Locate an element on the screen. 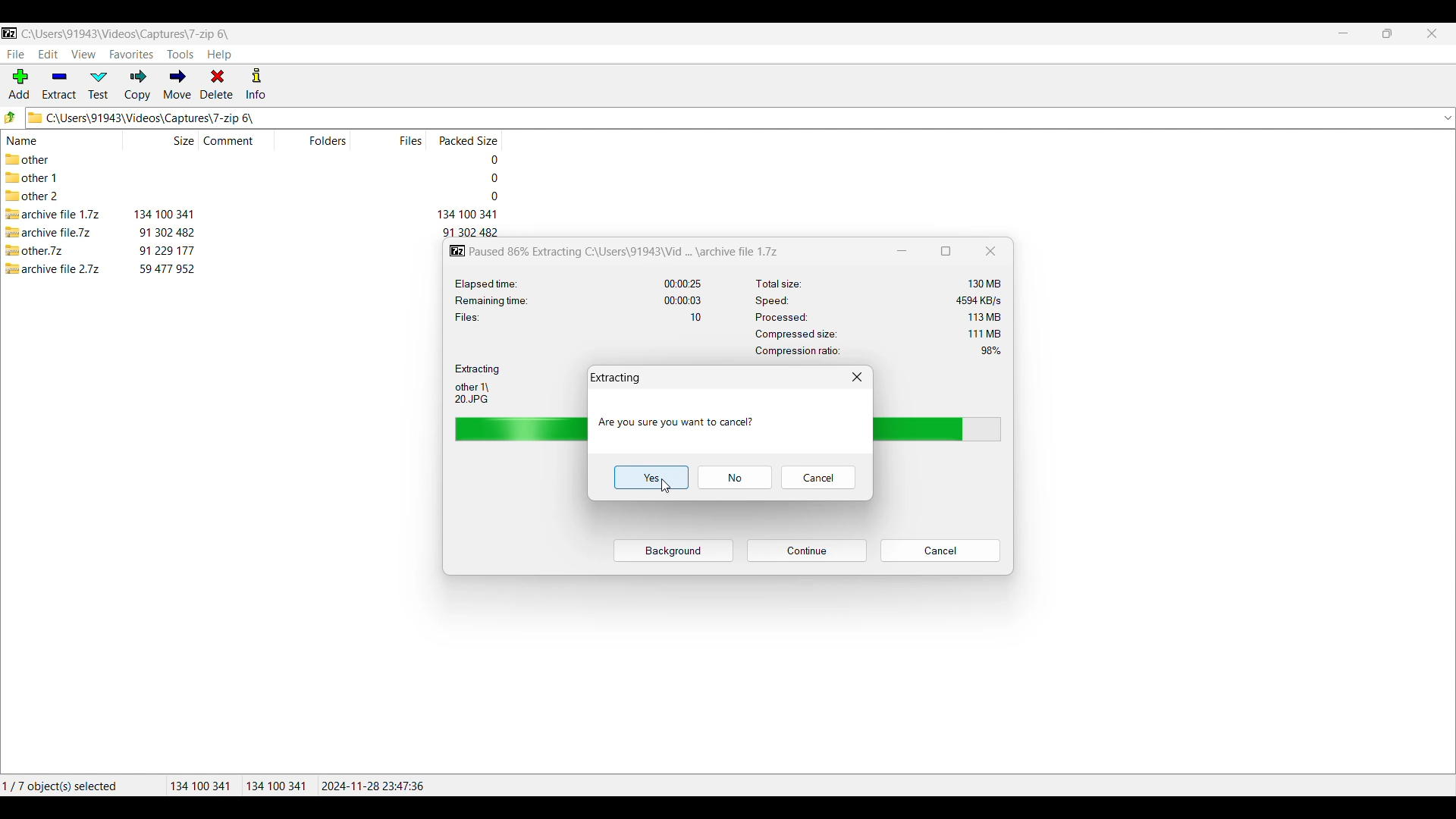 The width and height of the screenshot is (1456, 819). Comment column is located at coordinates (238, 140).